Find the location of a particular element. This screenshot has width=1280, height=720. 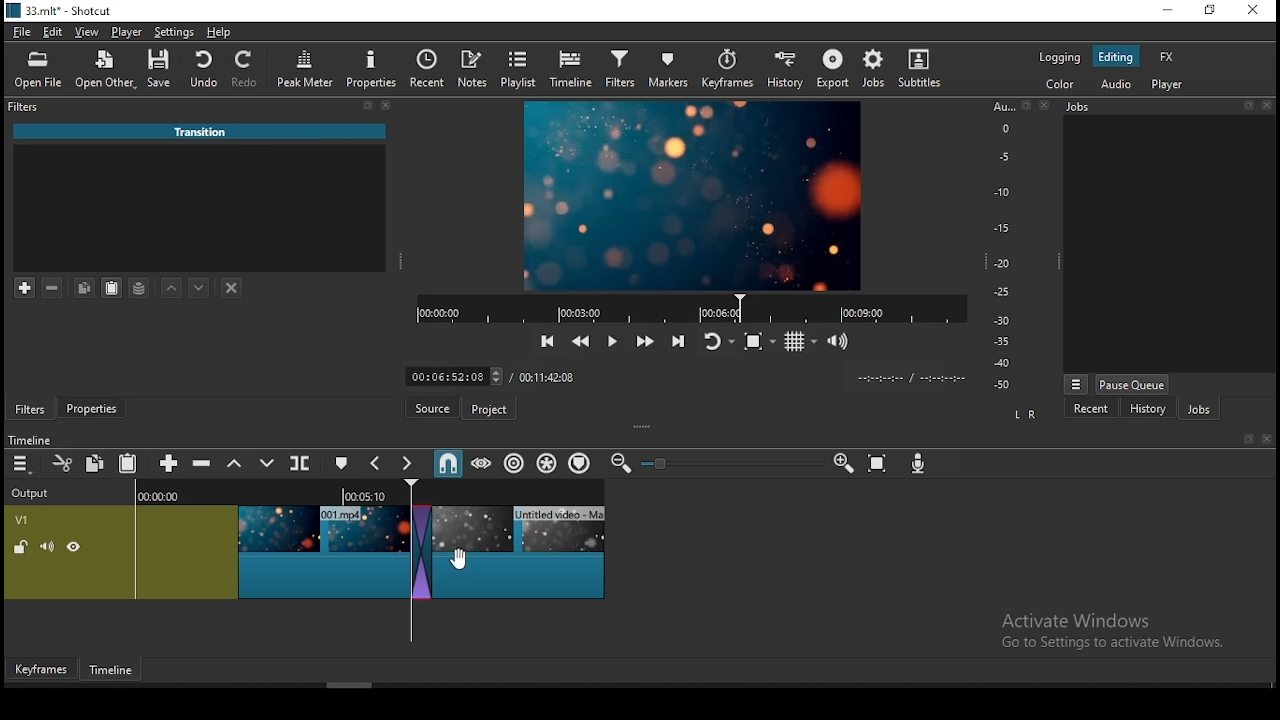

playlist is located at coordinates (520, 71).